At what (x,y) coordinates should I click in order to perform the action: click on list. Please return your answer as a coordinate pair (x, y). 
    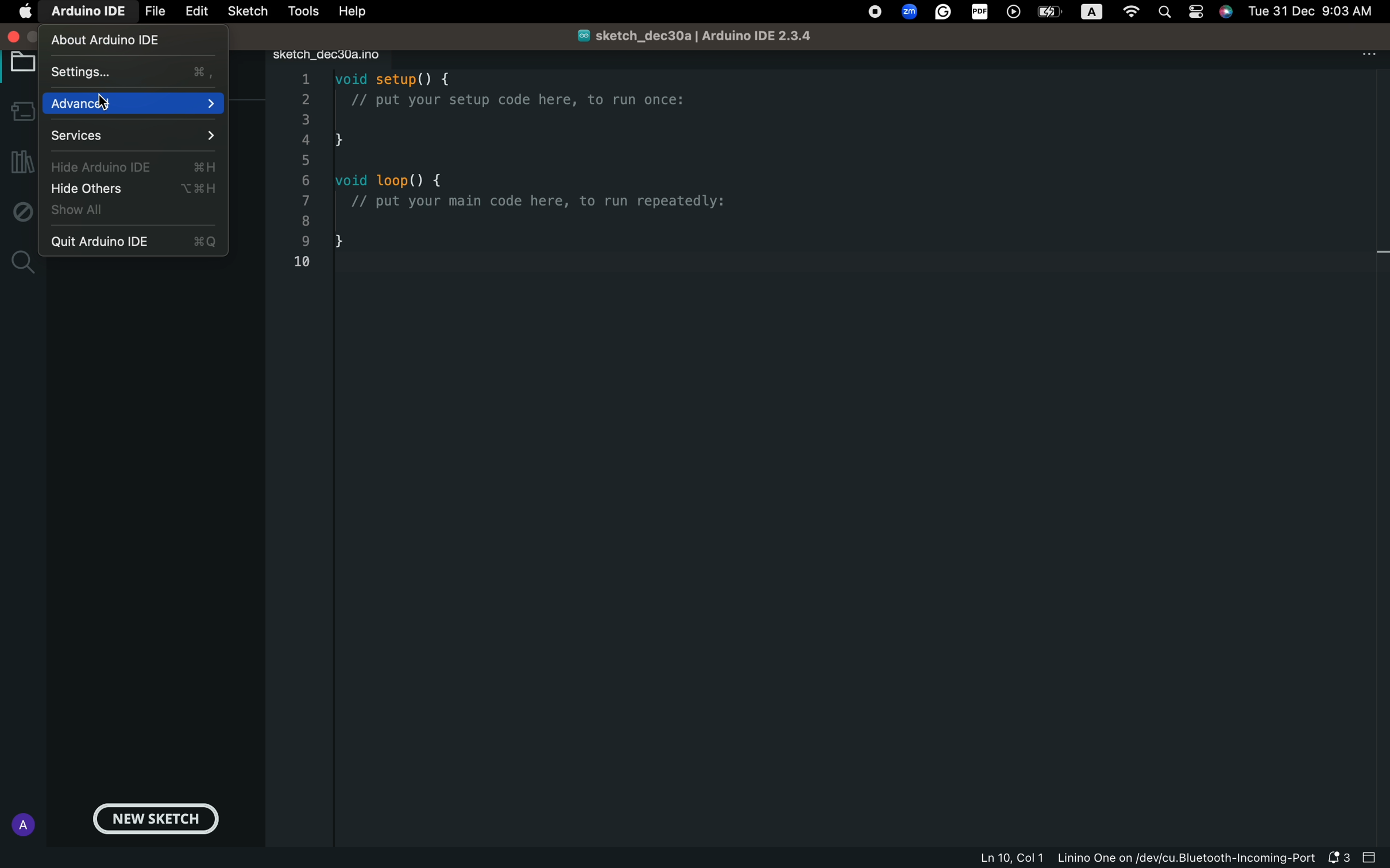
    Looking at the image, I should click on (307, 173).